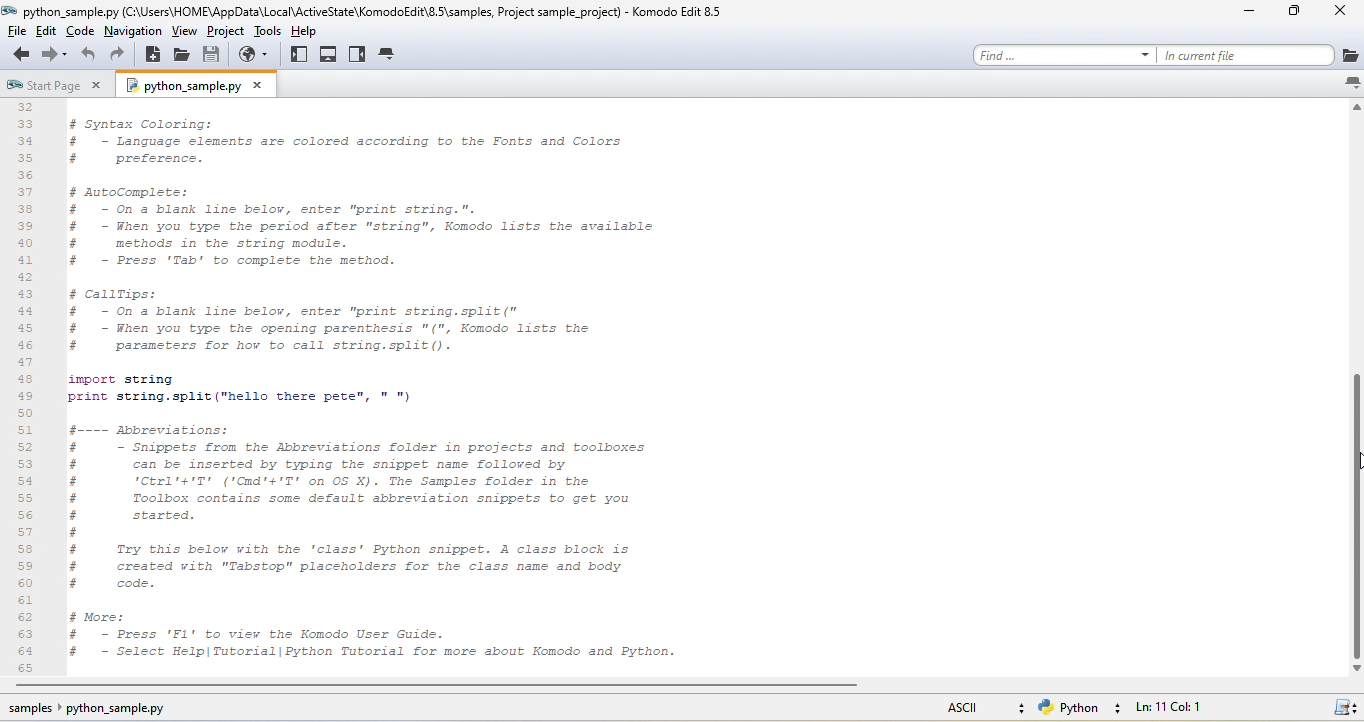 The height and width of the screenshot is (722, 1364). What do you see at coordinates (53, 32) in the screenshot?
I see `edit` at bounding box center [53, 32].